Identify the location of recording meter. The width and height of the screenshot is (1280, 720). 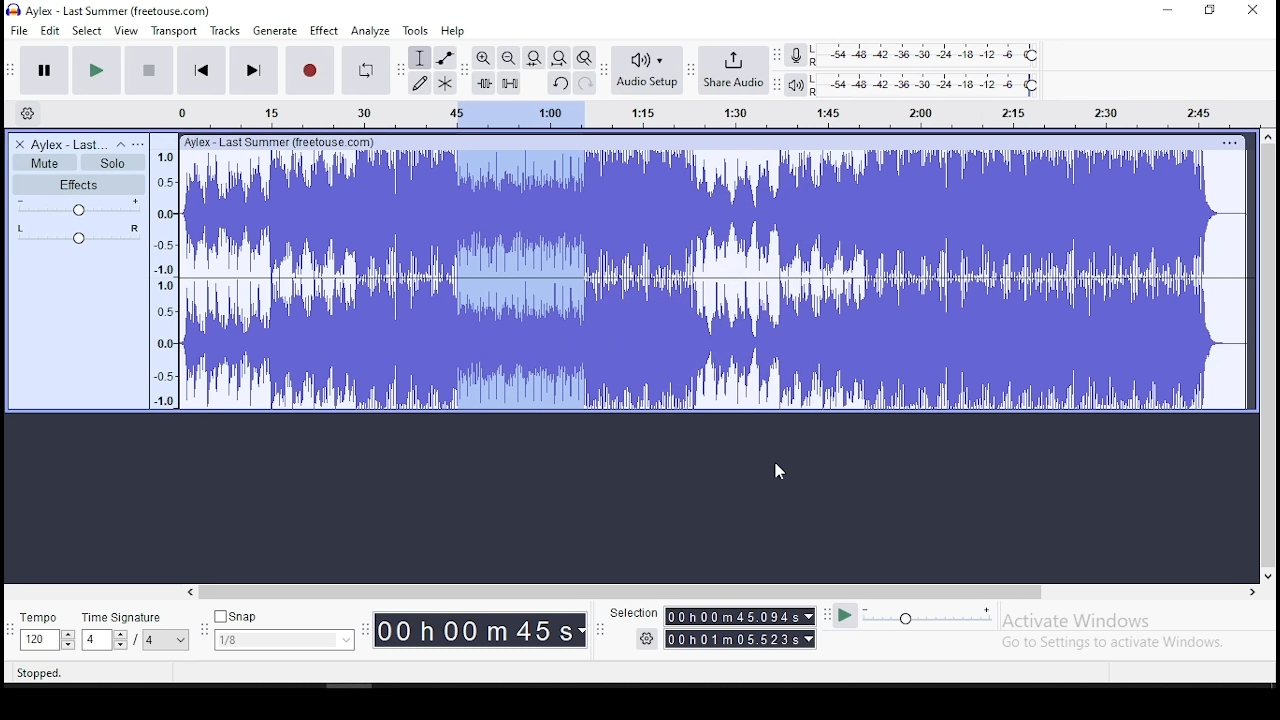
(796, 54).